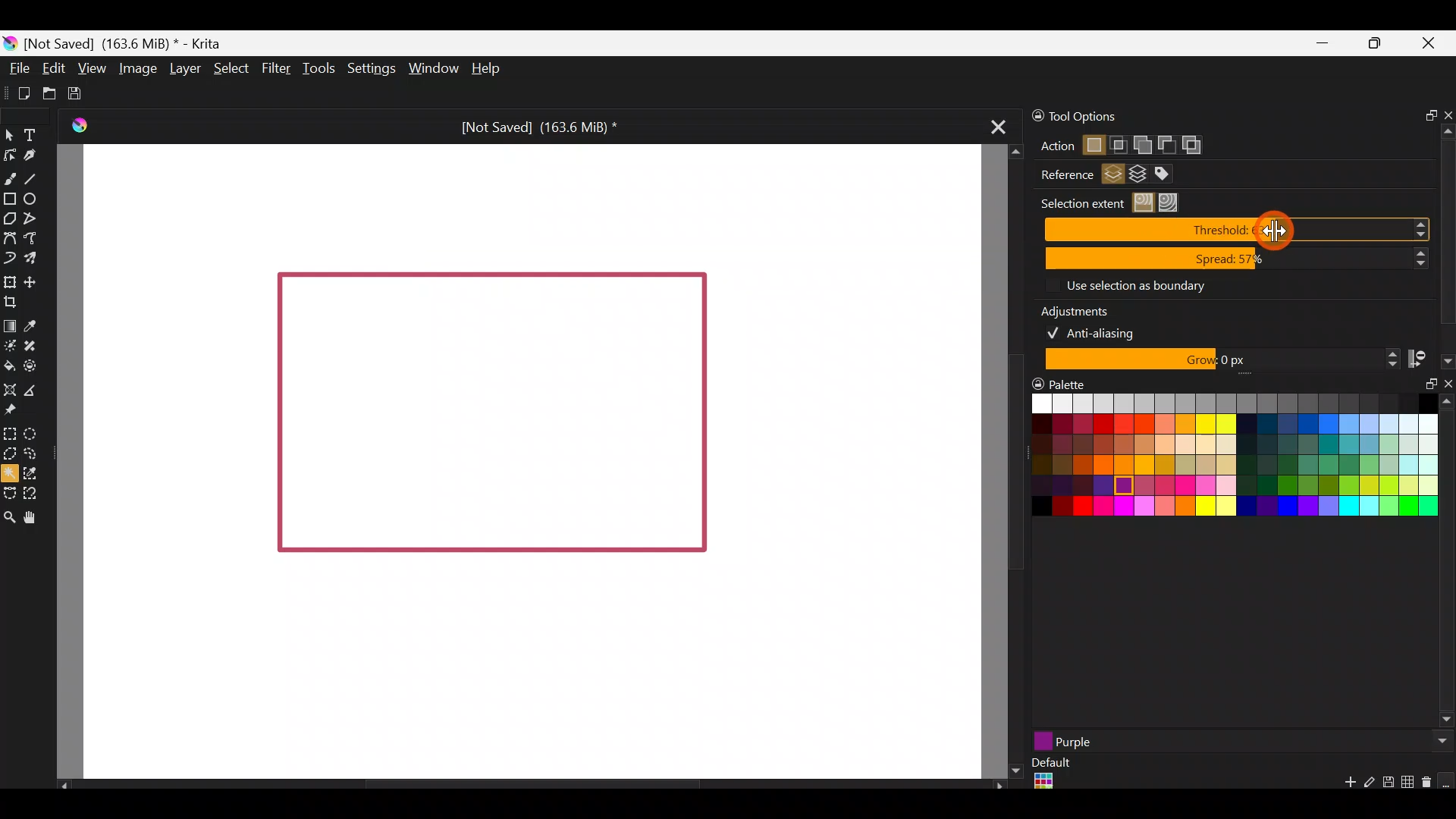 Image resolution: width=1456 pixels, height=819 pixels. Describe the element at coordinates (1424, 391) in the screenshot. I see `Float docker` at that location.